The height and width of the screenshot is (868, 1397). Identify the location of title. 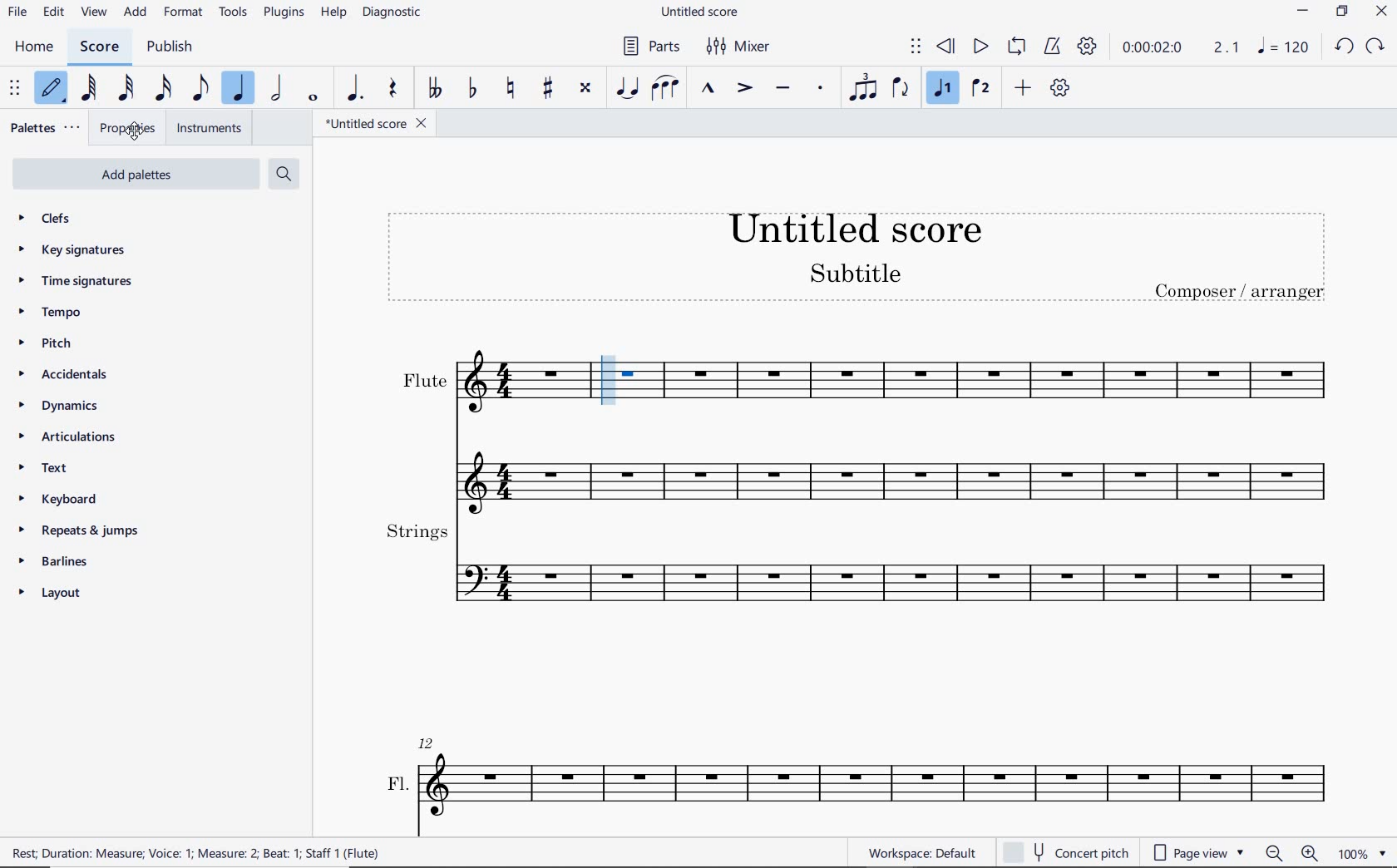
(857, 258).